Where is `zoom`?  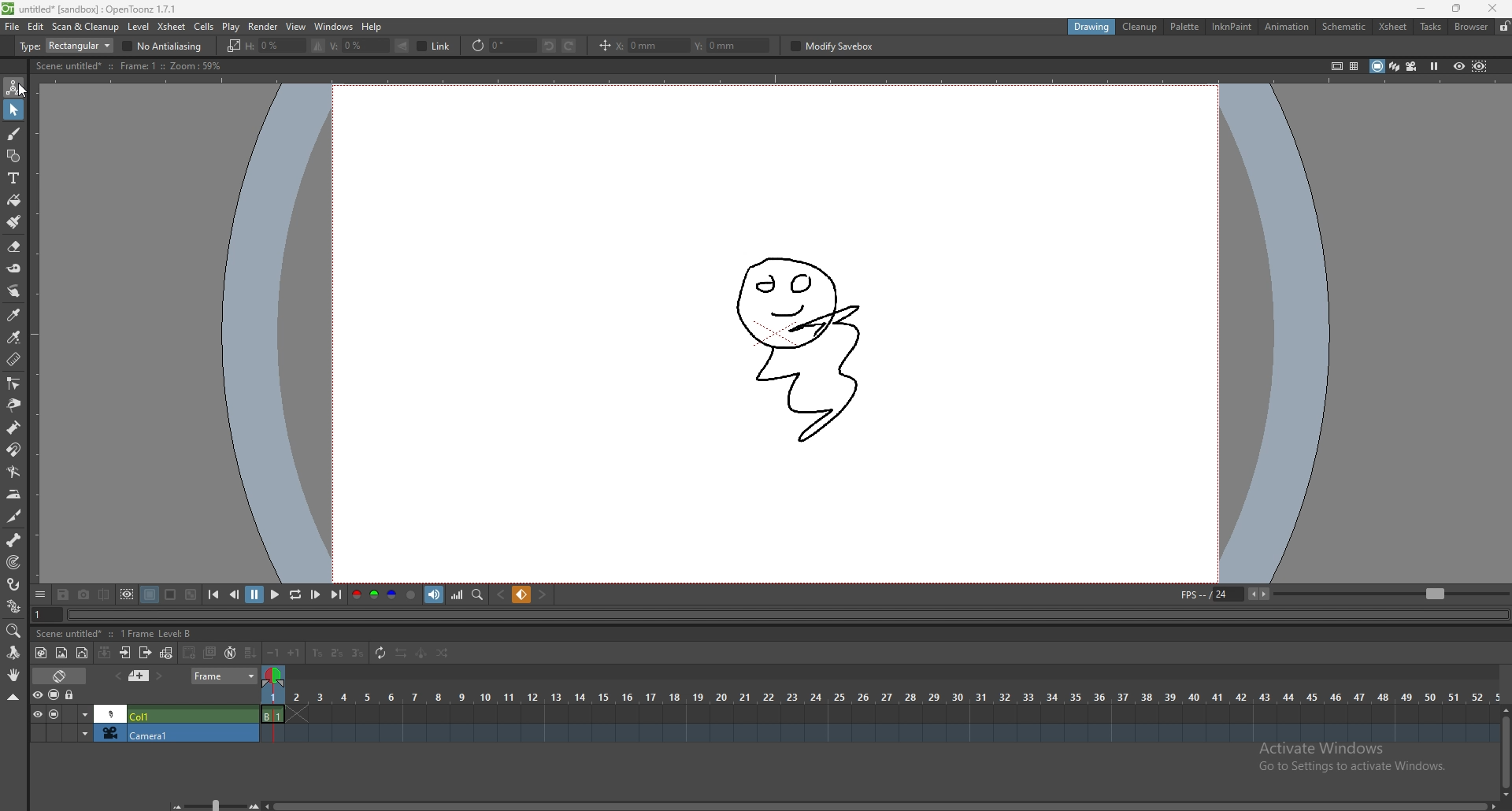 zoom is located at coordinates (217, 805).